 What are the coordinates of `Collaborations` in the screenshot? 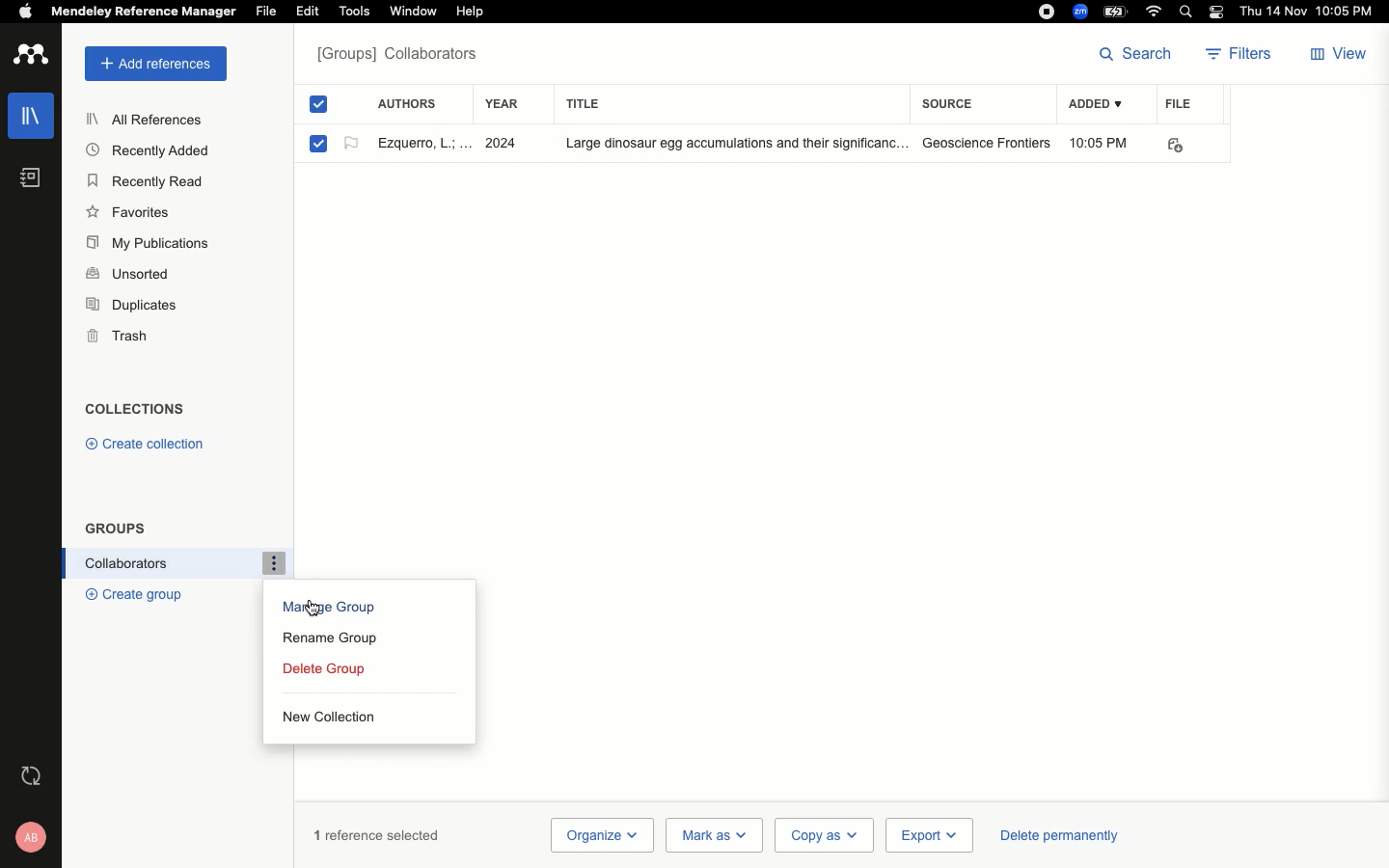 It's located at (171, 563).